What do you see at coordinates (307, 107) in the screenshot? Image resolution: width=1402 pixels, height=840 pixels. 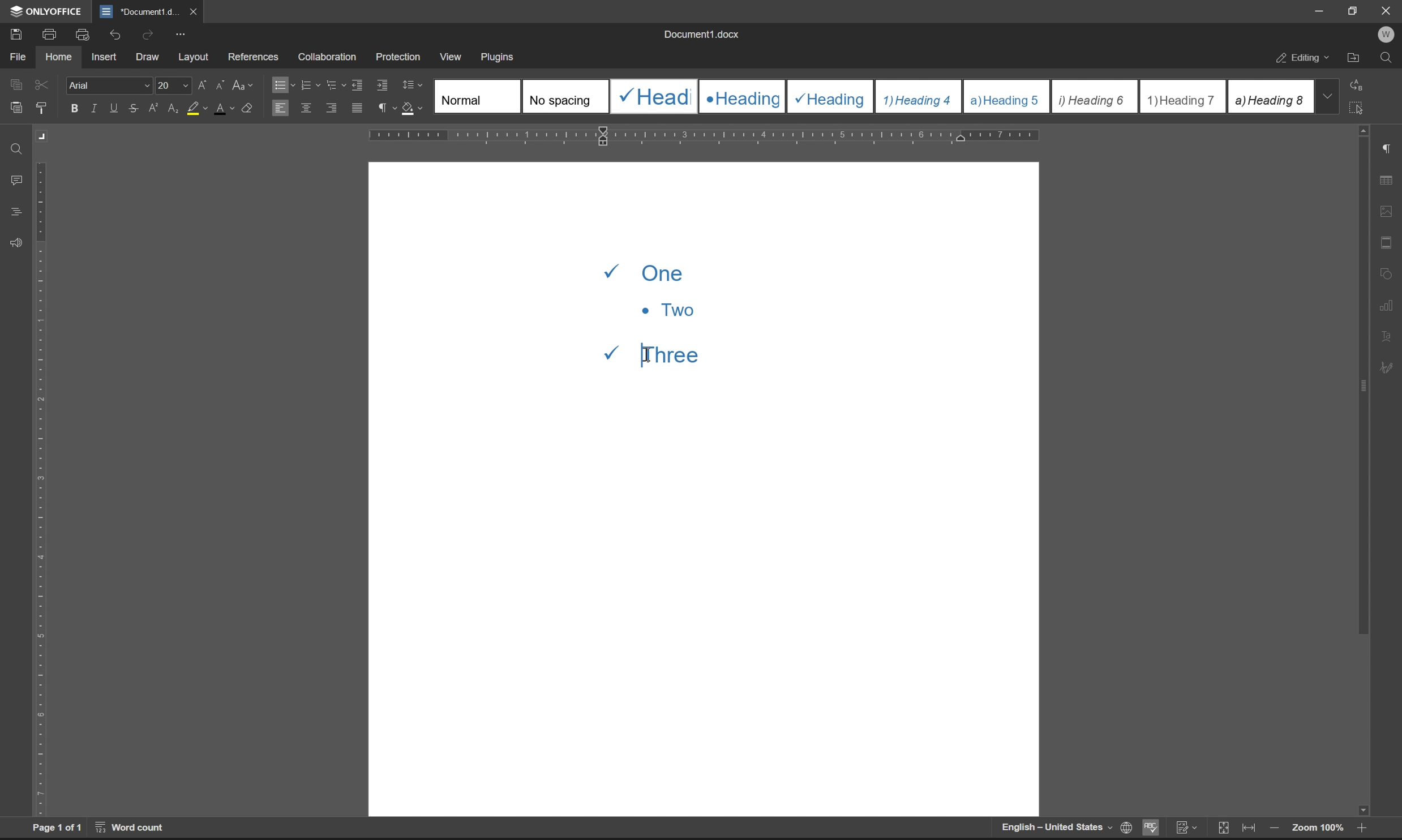 I see `align center` at bounding box center [307, 107].